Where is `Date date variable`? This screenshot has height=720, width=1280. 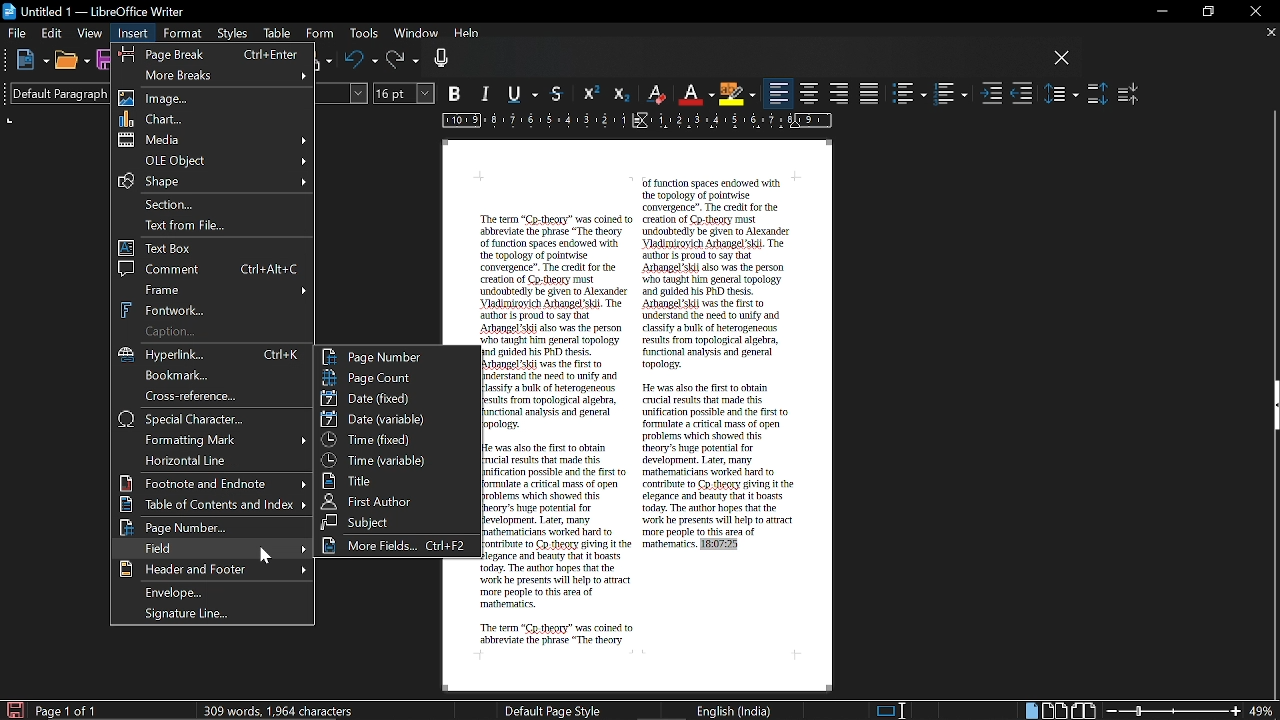
Date date variable is located at coordinates (397, 420).